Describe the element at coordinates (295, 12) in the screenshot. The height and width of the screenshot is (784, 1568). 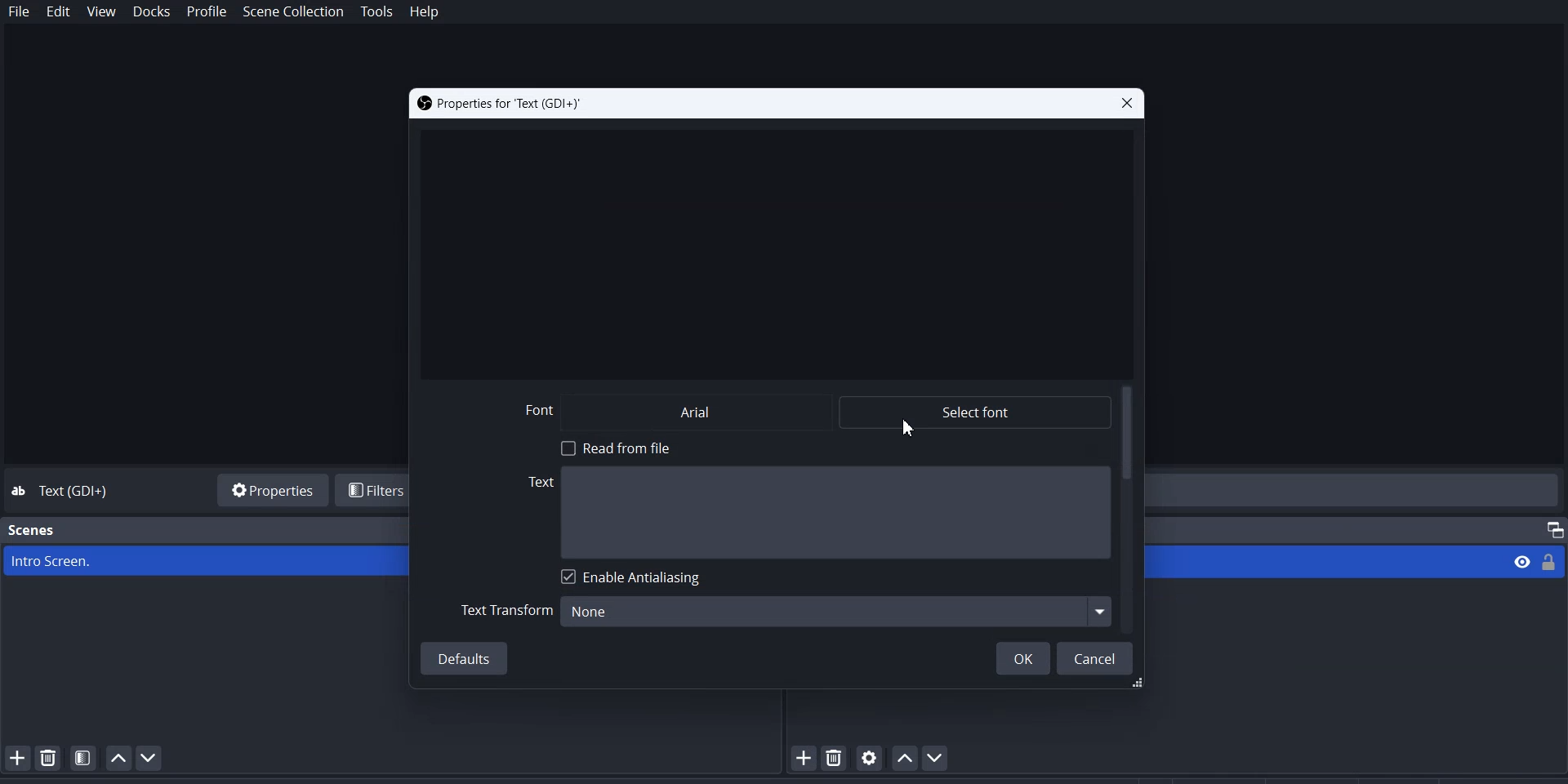
I see `Scene collection` at that location.